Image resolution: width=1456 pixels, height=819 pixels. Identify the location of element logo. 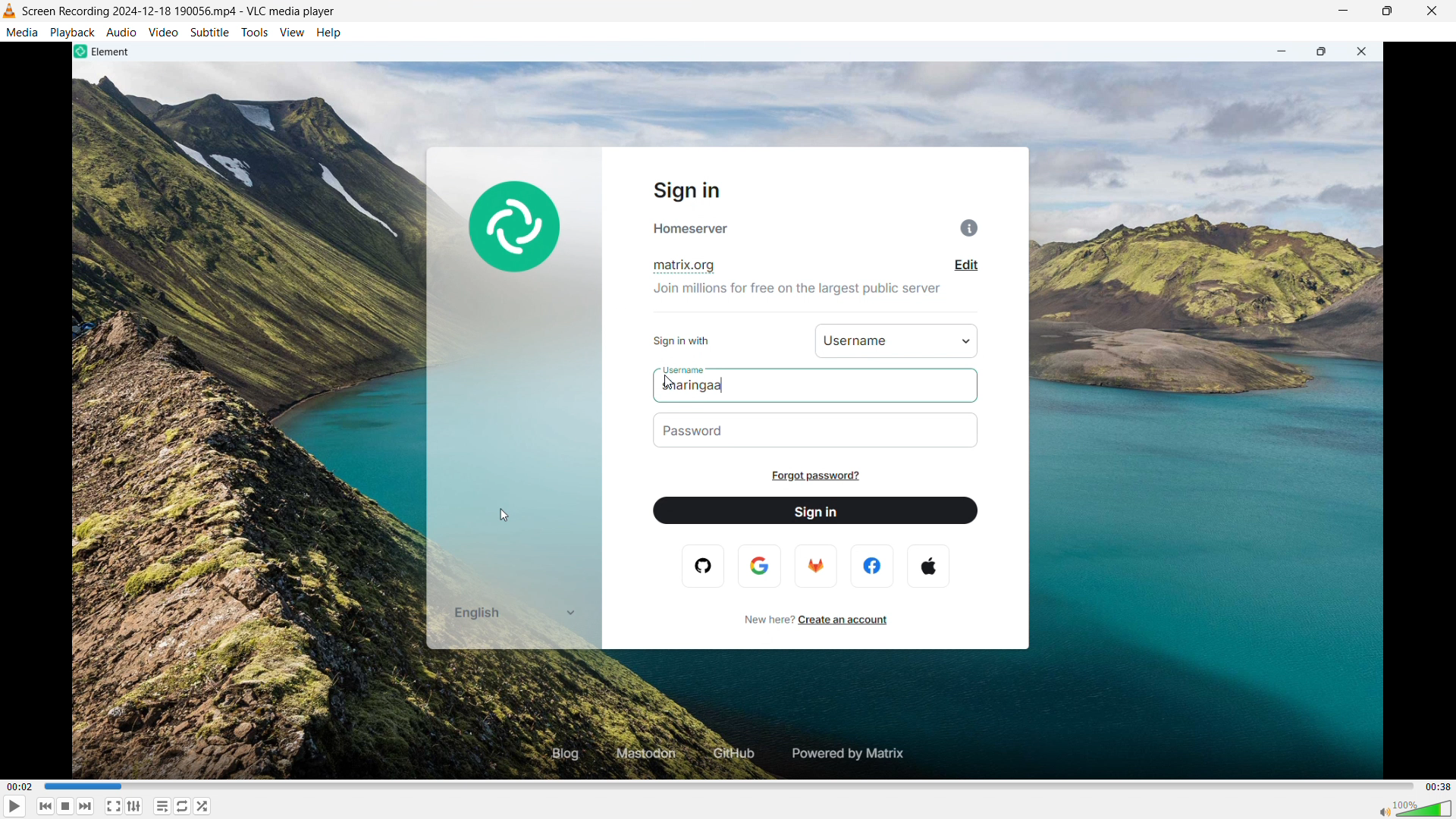
(79, 52).